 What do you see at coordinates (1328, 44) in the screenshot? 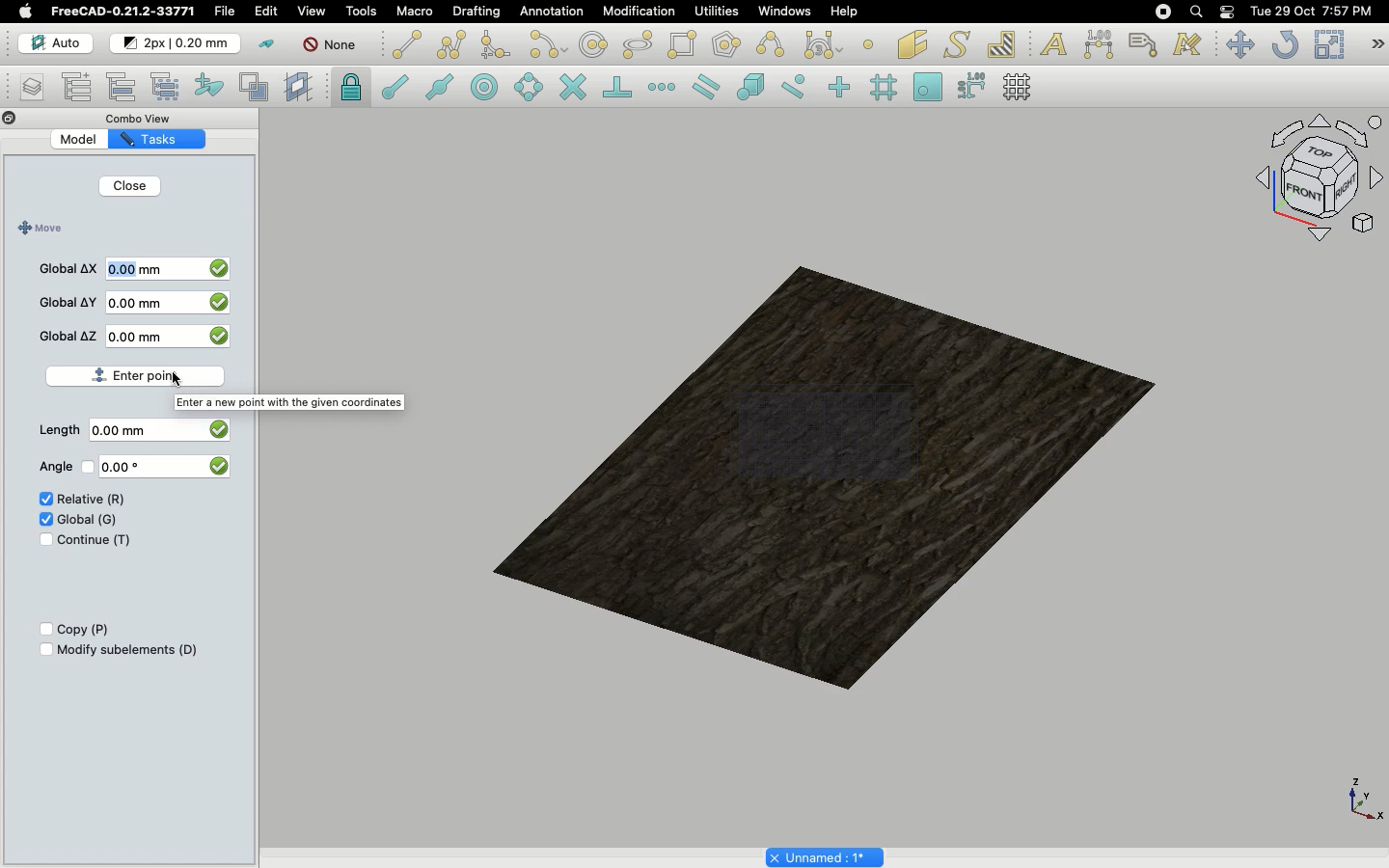
I see `Scale` at bounding box center [1328, 44].